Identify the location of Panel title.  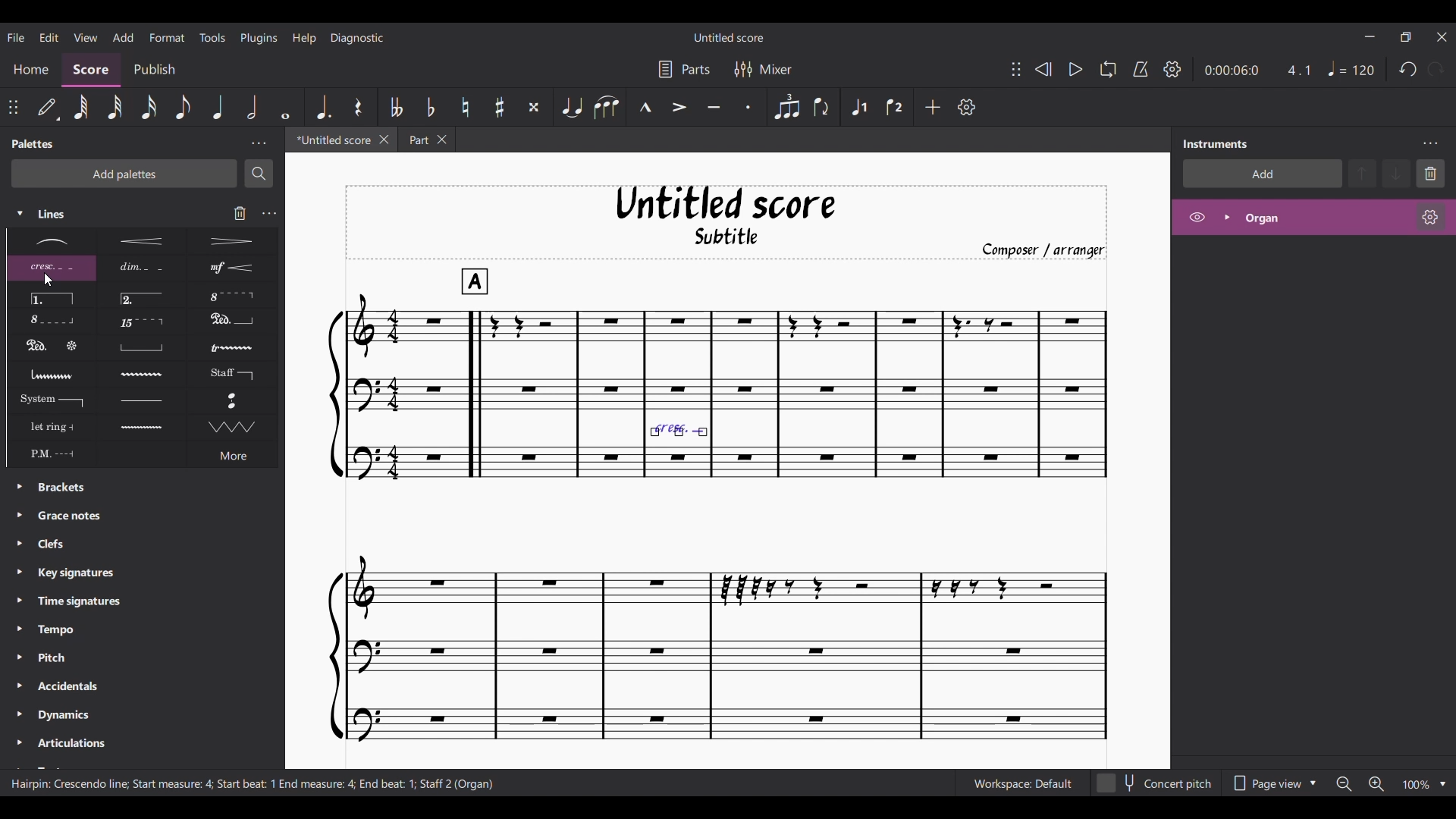
(33, 144).